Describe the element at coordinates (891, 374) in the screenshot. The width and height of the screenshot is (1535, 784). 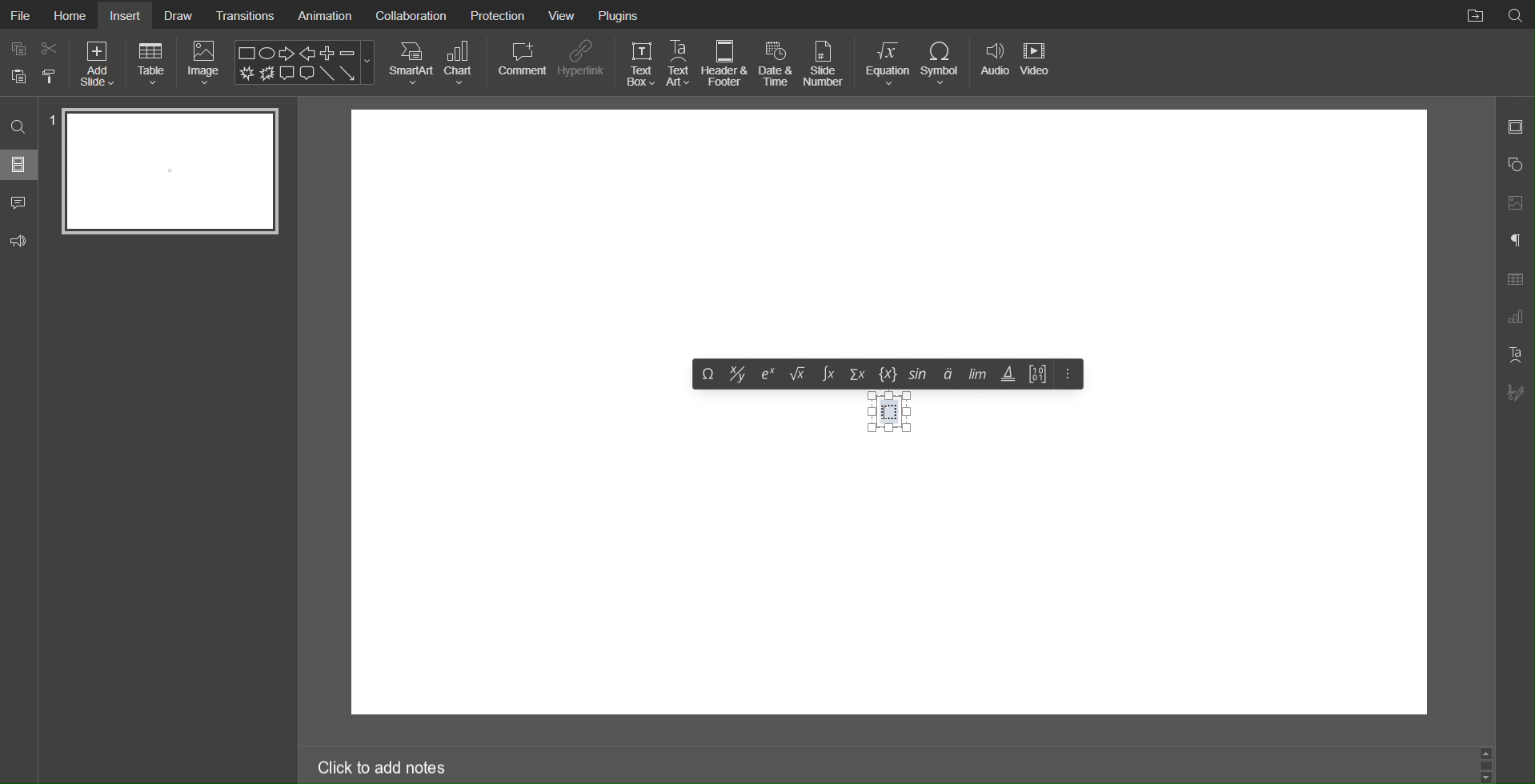
I see `Set Notation` at that location.